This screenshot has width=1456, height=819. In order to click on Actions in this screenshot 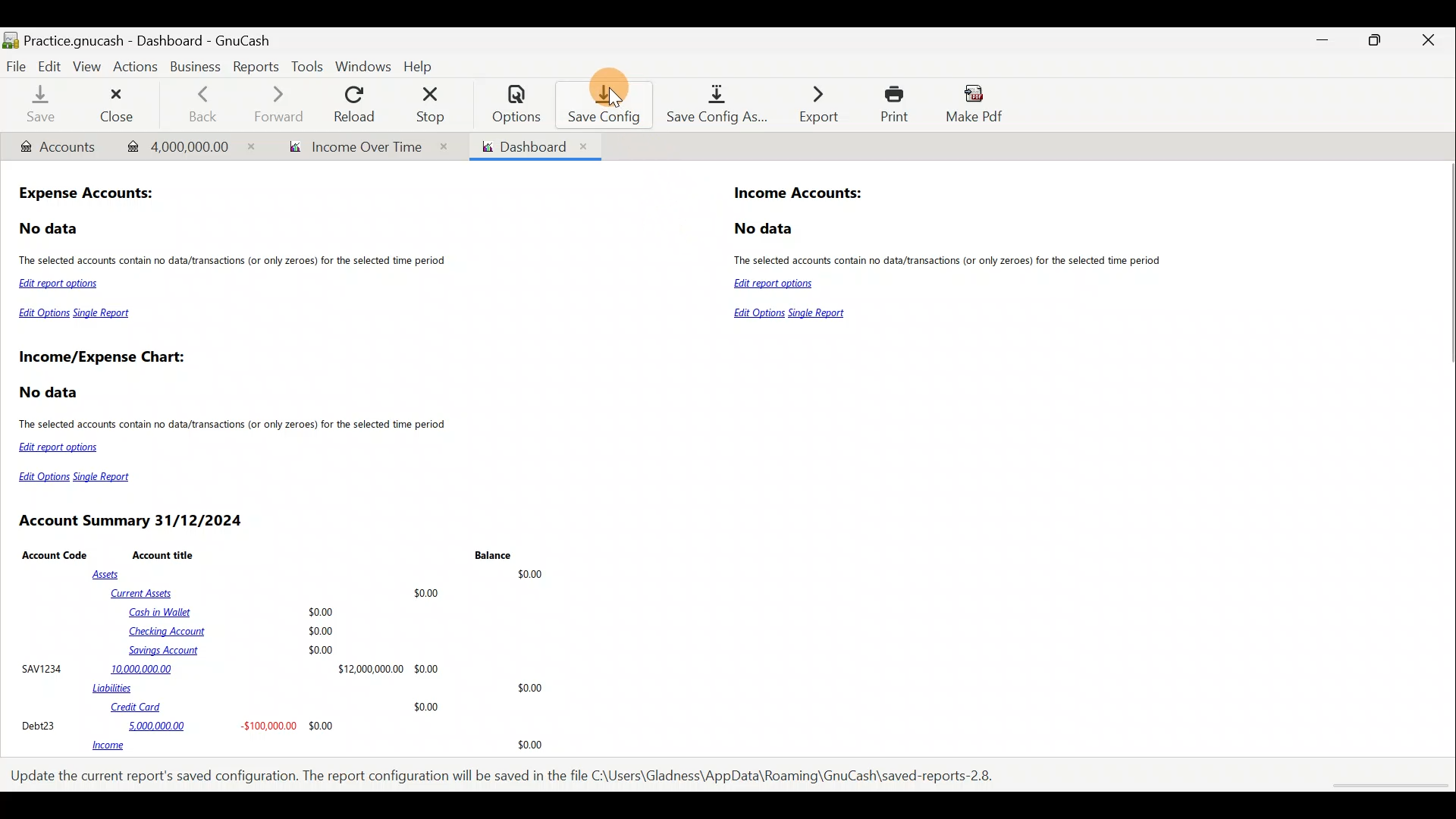, I will do `click(139, 71)`.